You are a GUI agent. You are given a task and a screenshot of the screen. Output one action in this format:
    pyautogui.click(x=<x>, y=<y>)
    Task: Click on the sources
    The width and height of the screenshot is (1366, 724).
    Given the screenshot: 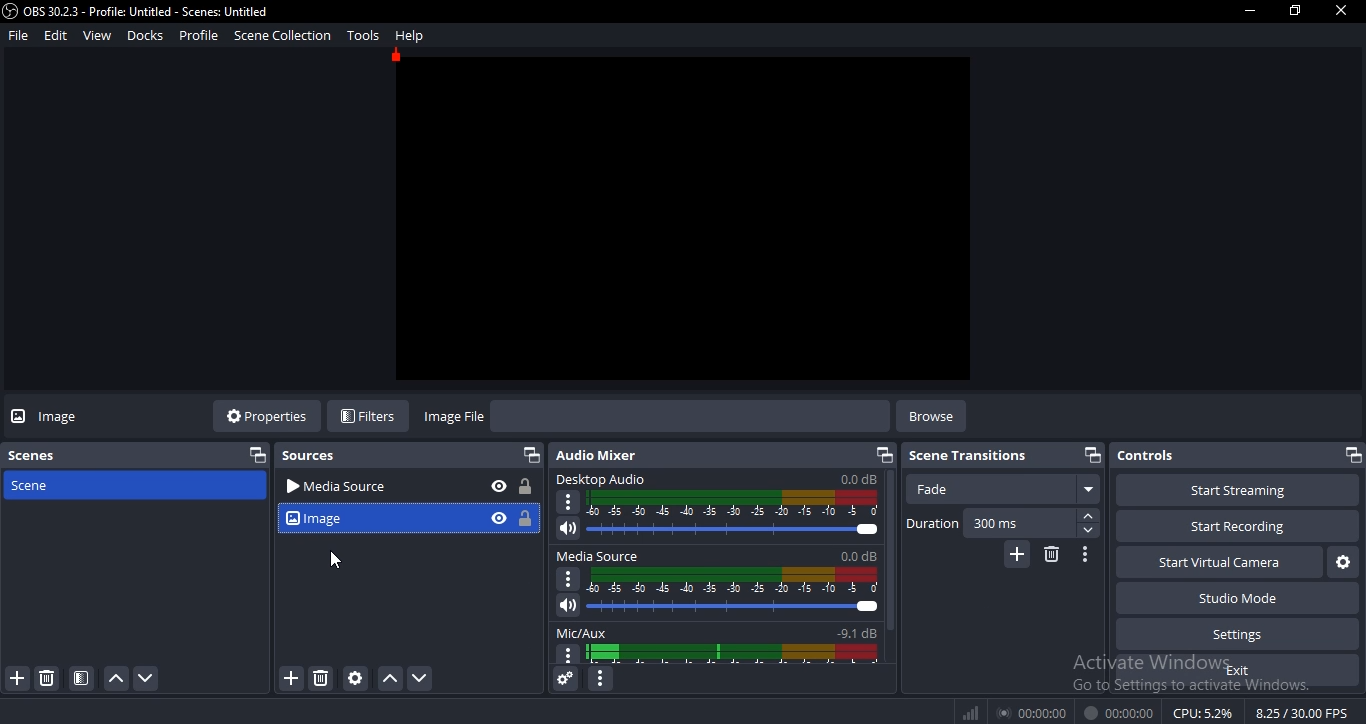 What is the action you would take?
    pyautogui.click(x=314, y=458)
    